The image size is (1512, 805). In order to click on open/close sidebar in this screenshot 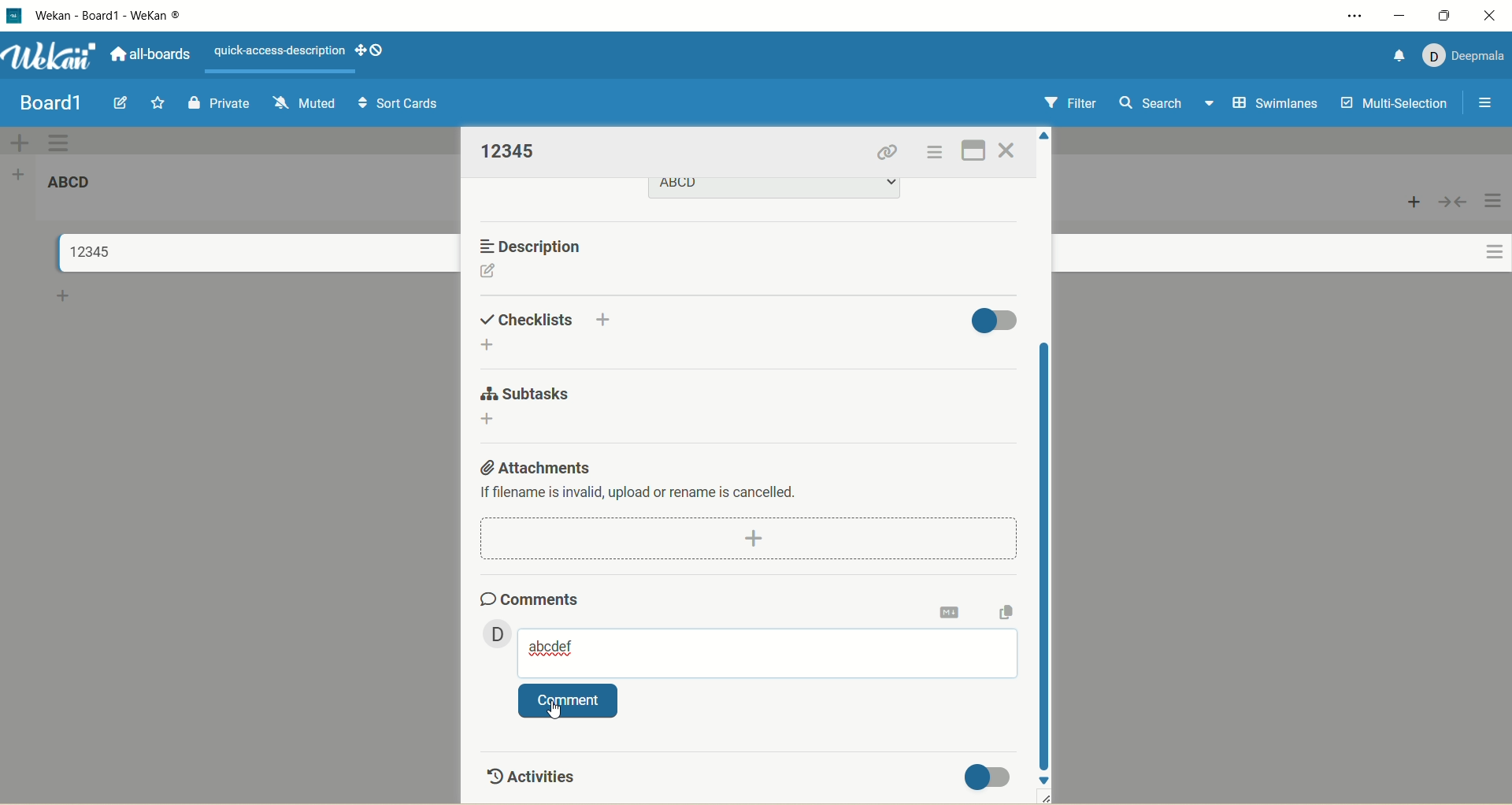, I will do `click(1483, 104)`.